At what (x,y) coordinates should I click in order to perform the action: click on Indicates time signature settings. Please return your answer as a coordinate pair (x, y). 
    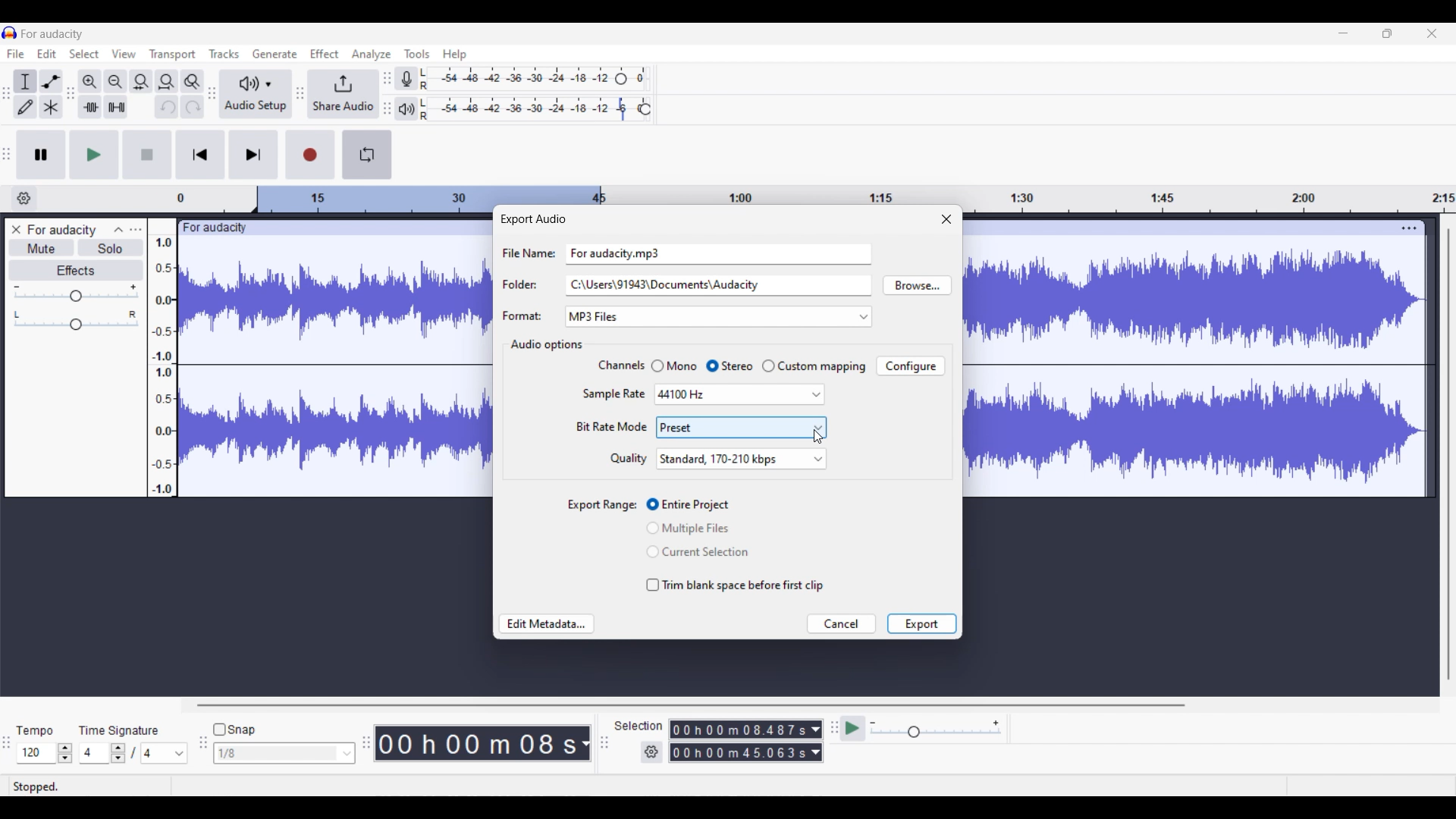
    Looking at the image, I should click on (119, 730).